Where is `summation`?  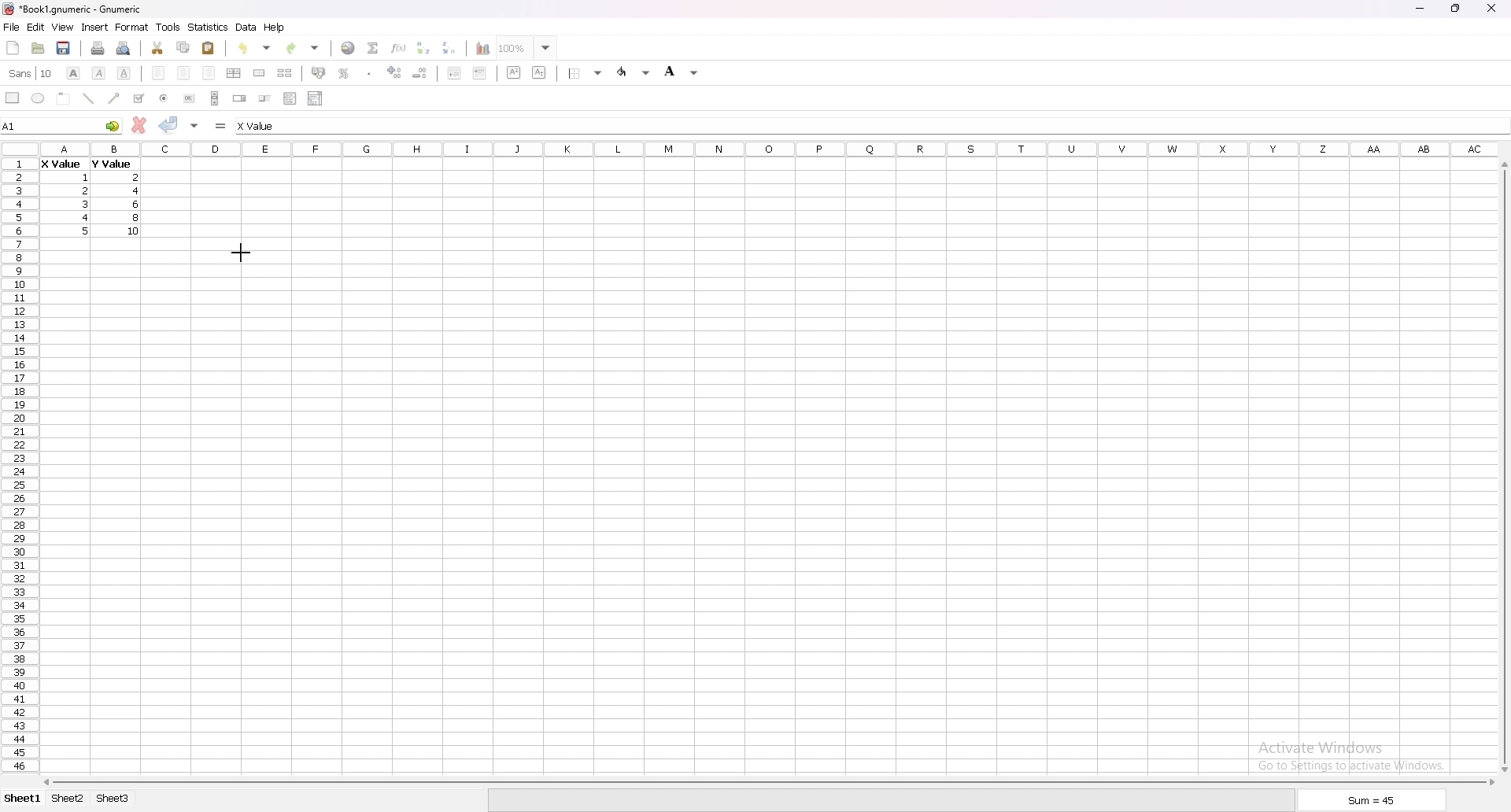 summation is located at coordinates (372, 47).